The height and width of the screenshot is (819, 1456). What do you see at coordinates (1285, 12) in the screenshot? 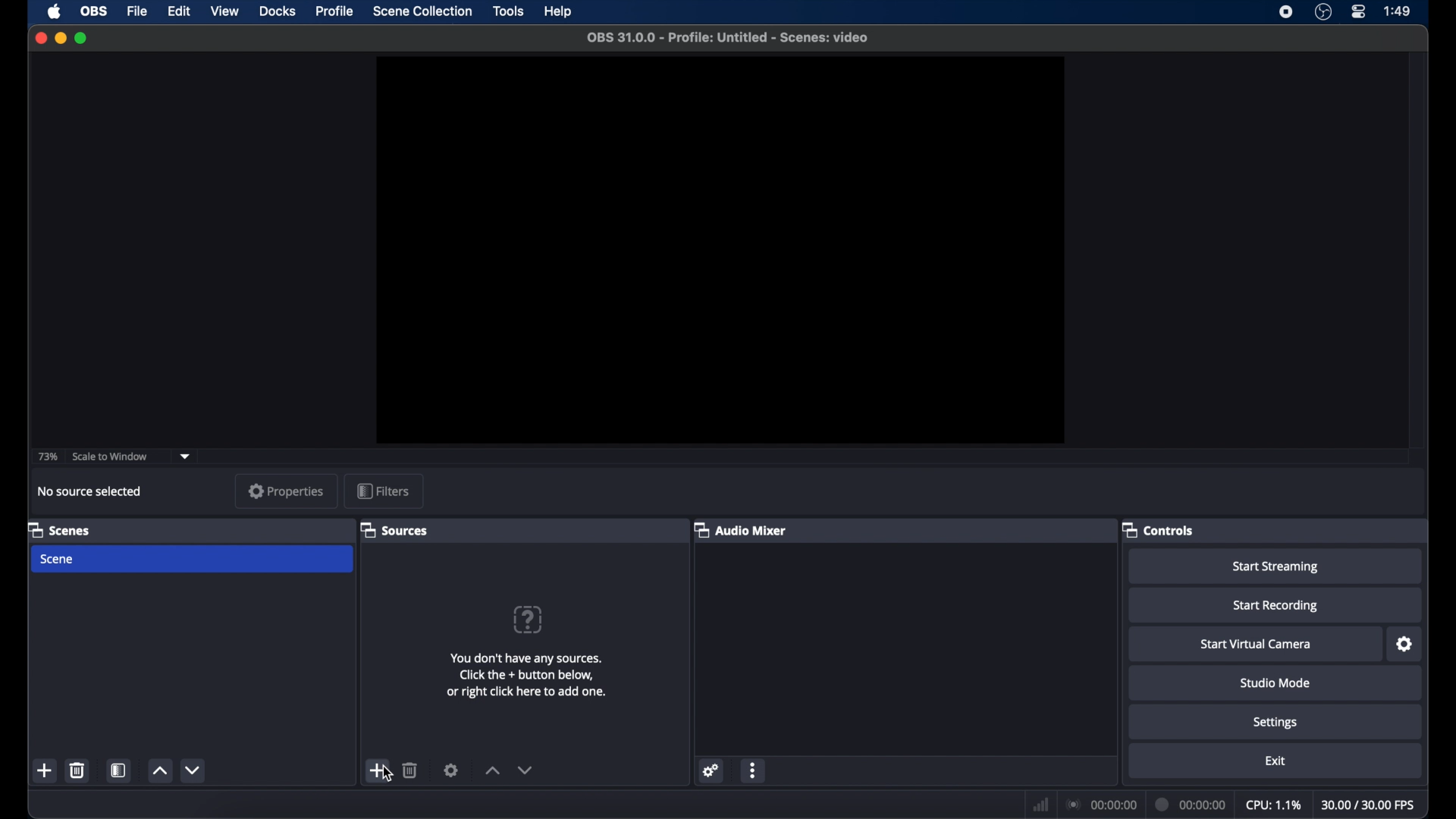
I see `screen recorder icon` at bounding box center [1285, 12].